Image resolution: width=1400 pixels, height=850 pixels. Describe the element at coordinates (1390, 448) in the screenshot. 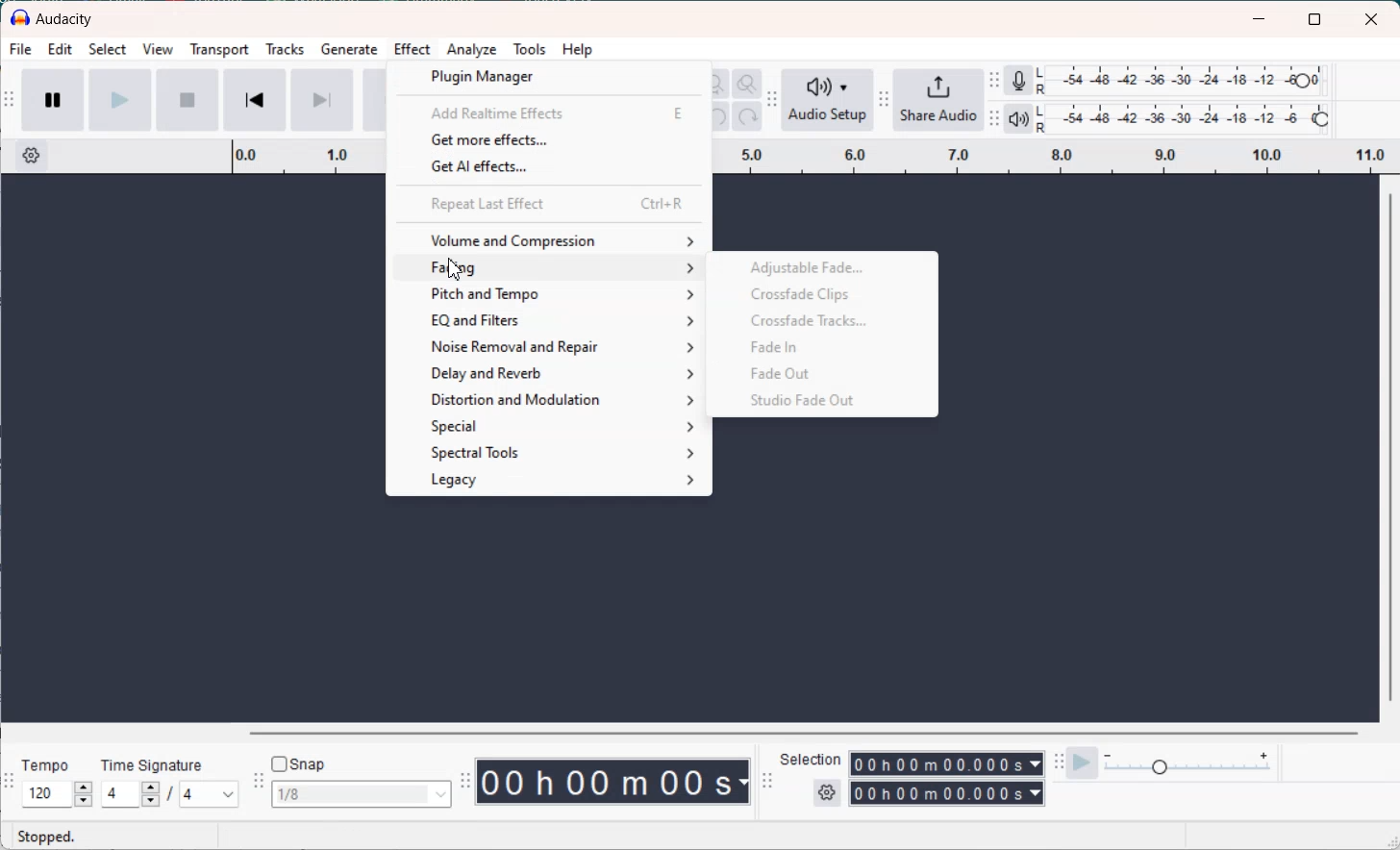

I see `Vertical scroll bar` at that location.